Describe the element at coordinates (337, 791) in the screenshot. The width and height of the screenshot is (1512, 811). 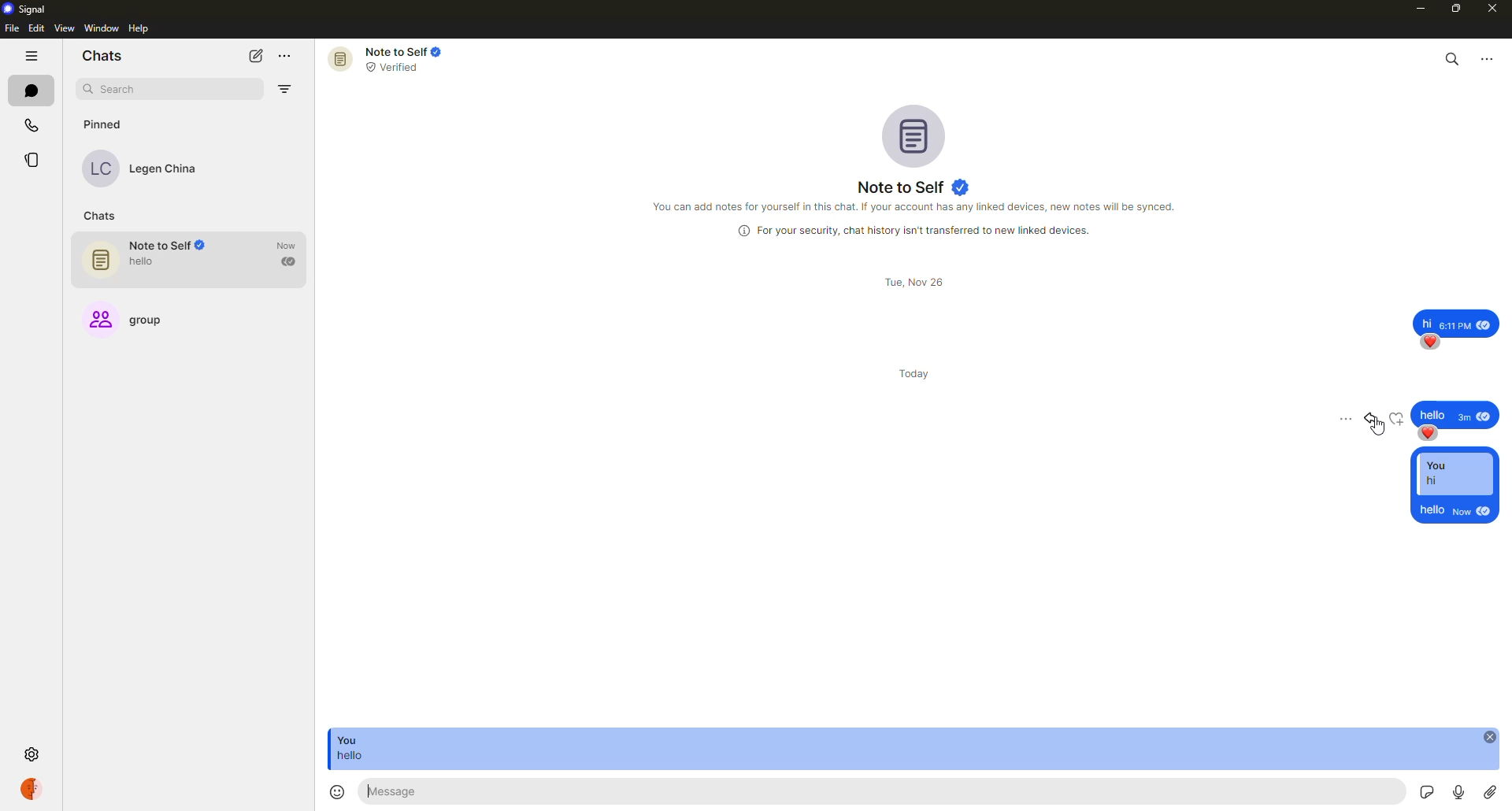
I see `emoji` at that location.